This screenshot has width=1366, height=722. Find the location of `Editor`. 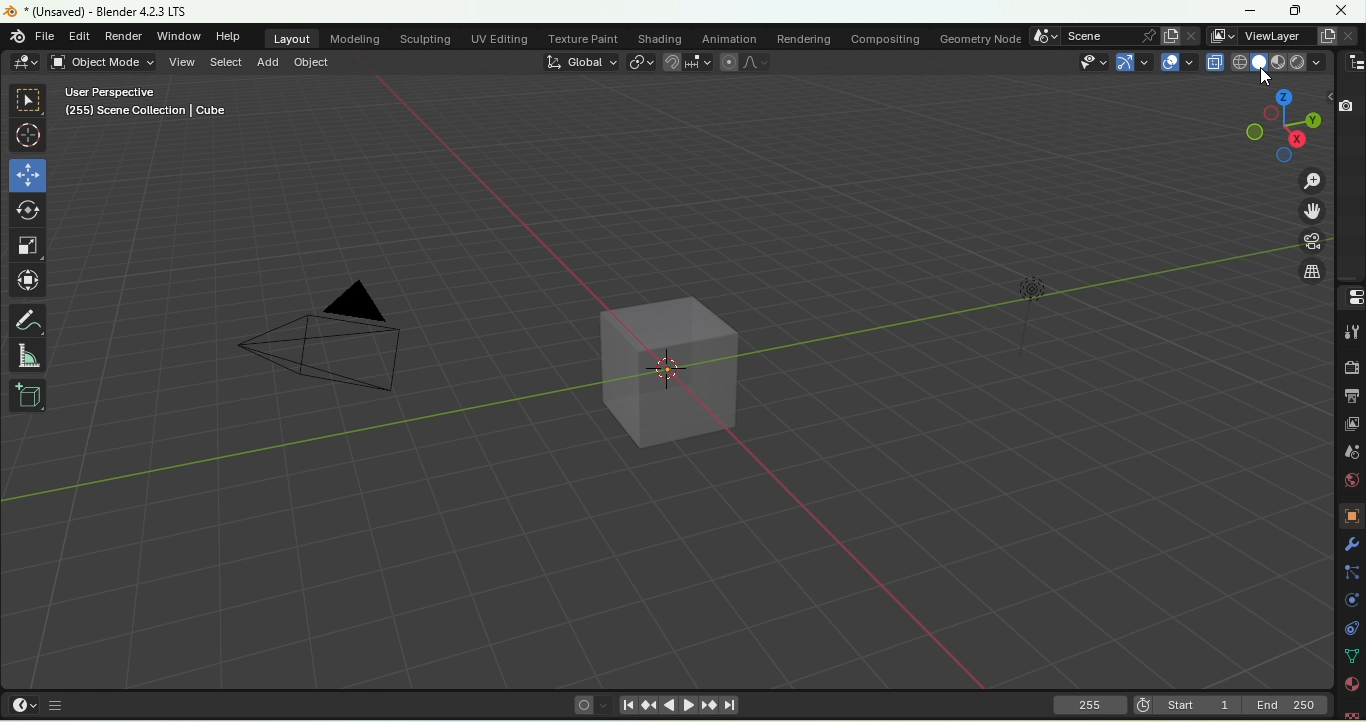

Editor is located at coordinates (76, 37).